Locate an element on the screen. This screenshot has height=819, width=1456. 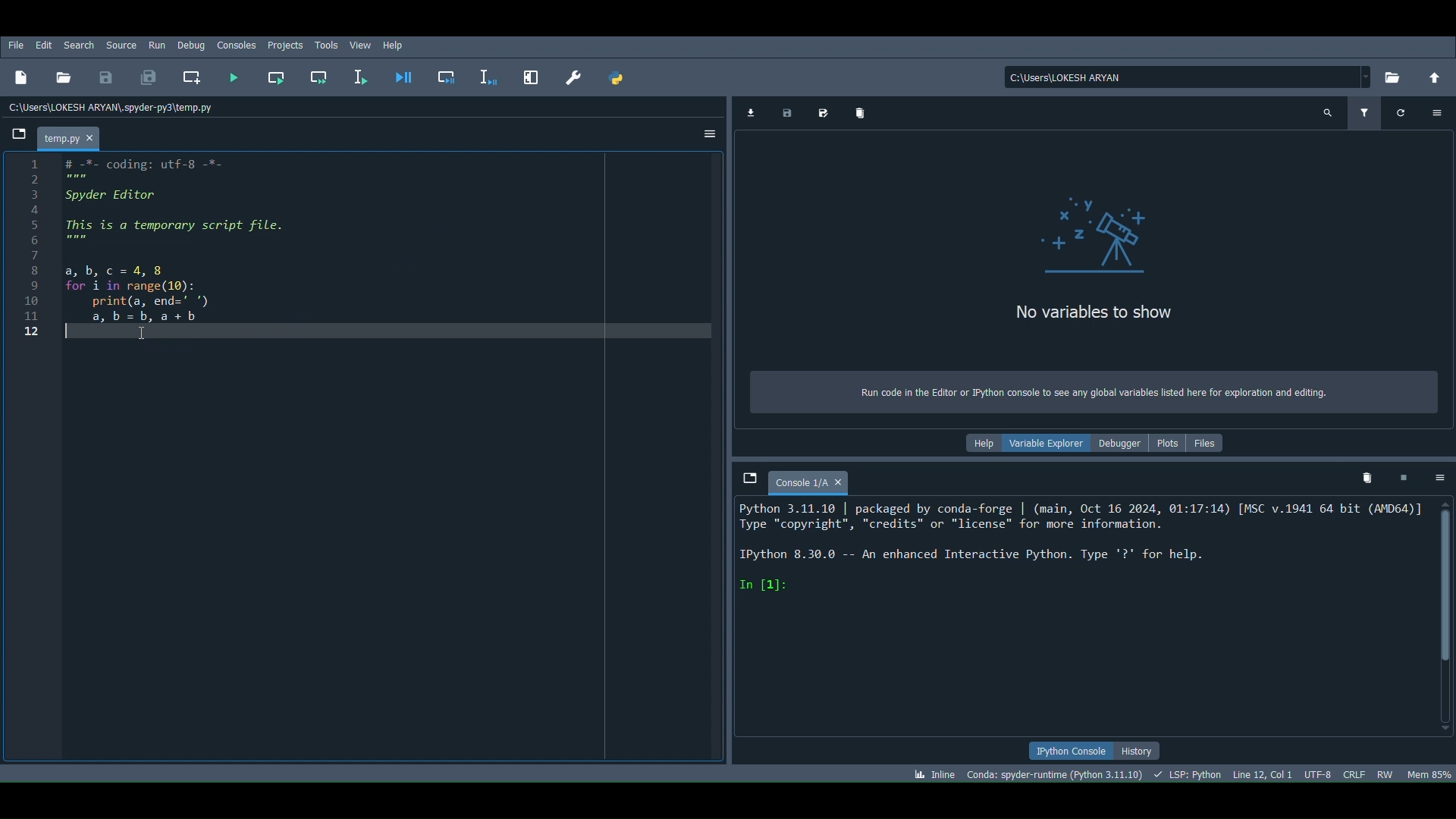
no Variables to show is located at coordinates (1078, 315).